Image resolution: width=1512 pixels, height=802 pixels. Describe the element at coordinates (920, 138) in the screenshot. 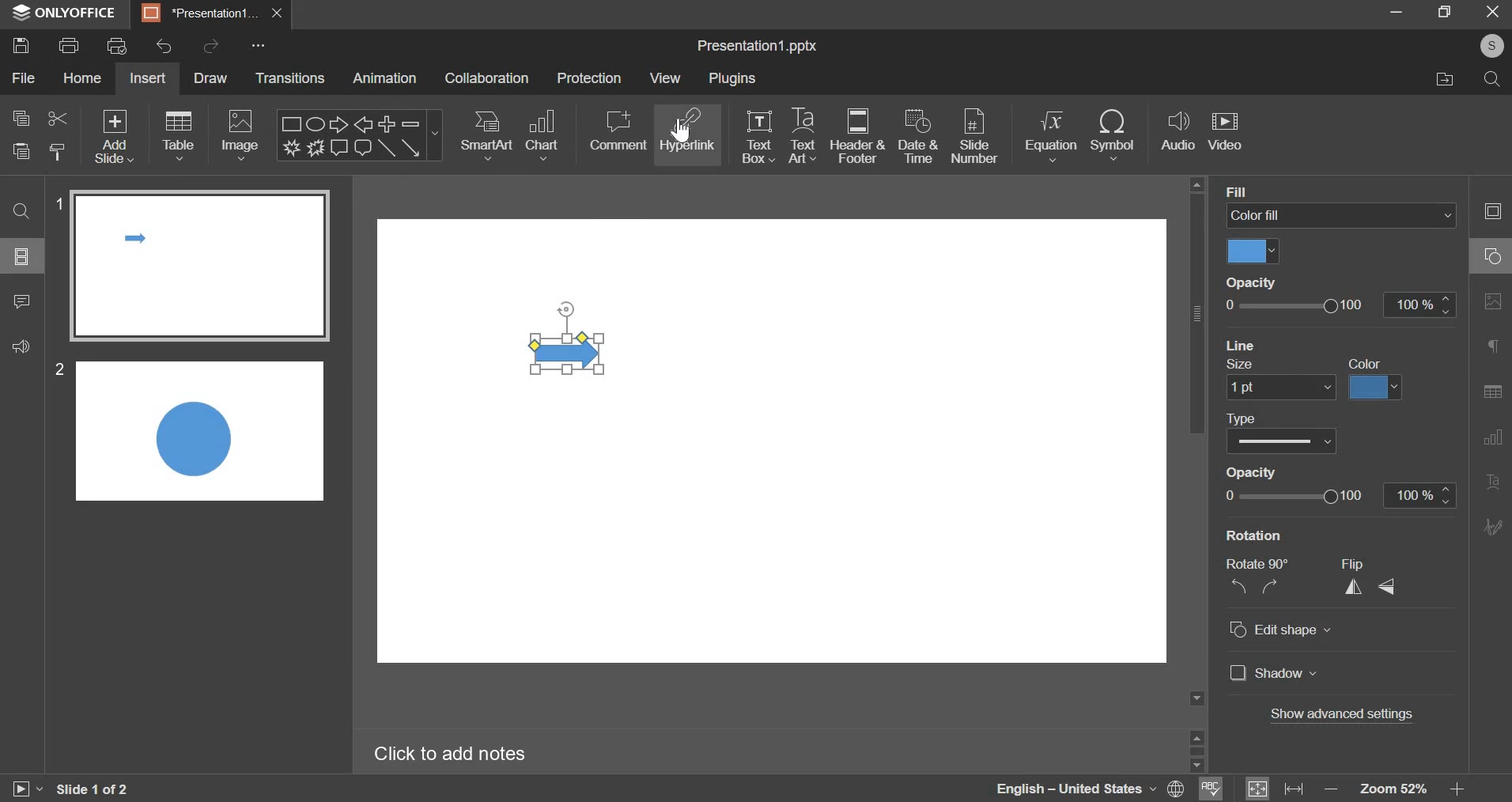

I see `date & time` at that location.